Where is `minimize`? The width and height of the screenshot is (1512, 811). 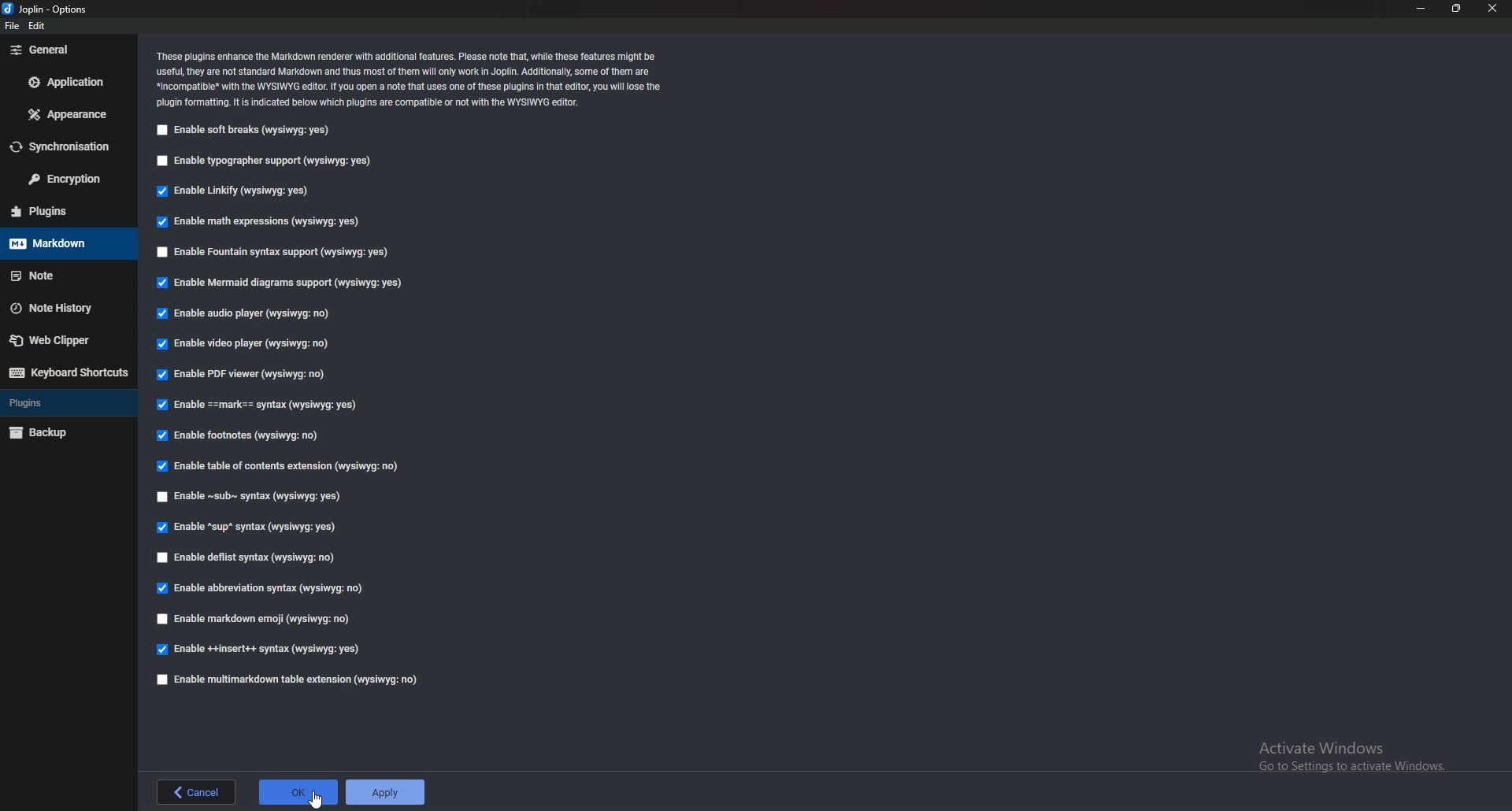
minimize is located at coordinates (1419, 7).